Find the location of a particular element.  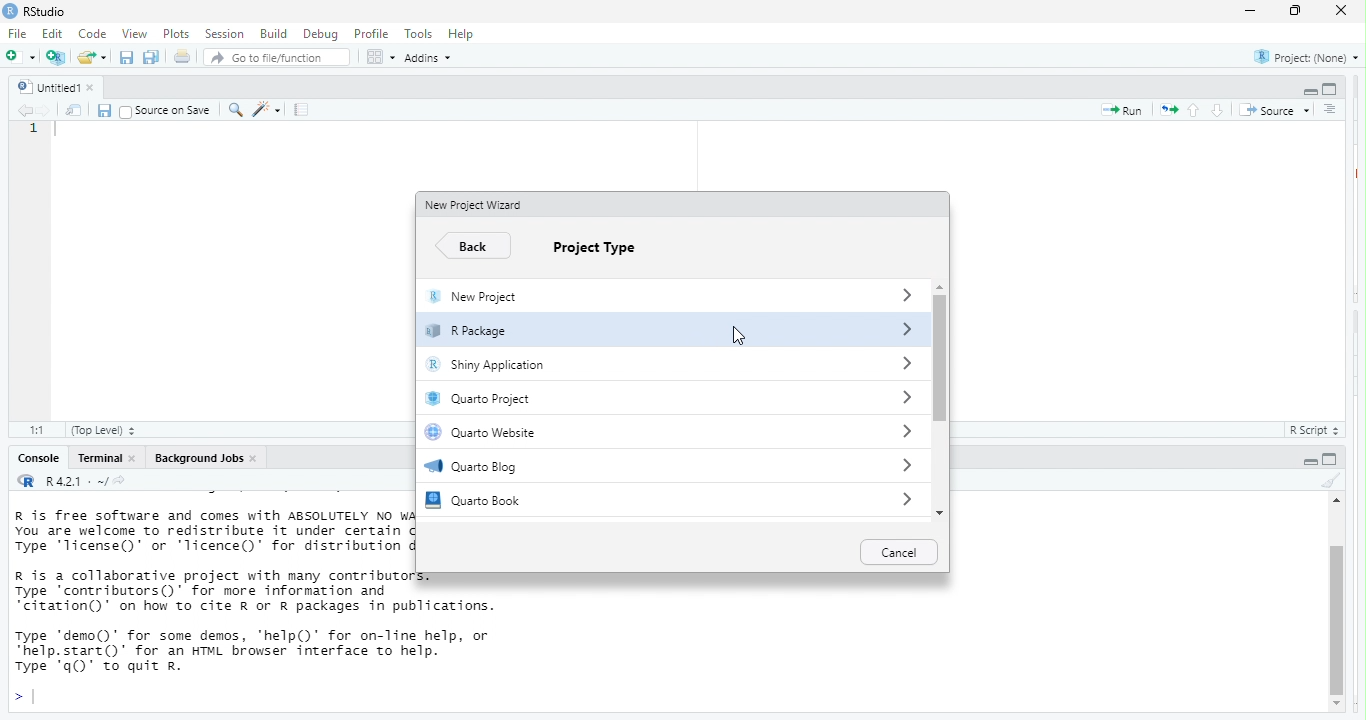

 R421: ~/ is located at coordinates (96, 481).